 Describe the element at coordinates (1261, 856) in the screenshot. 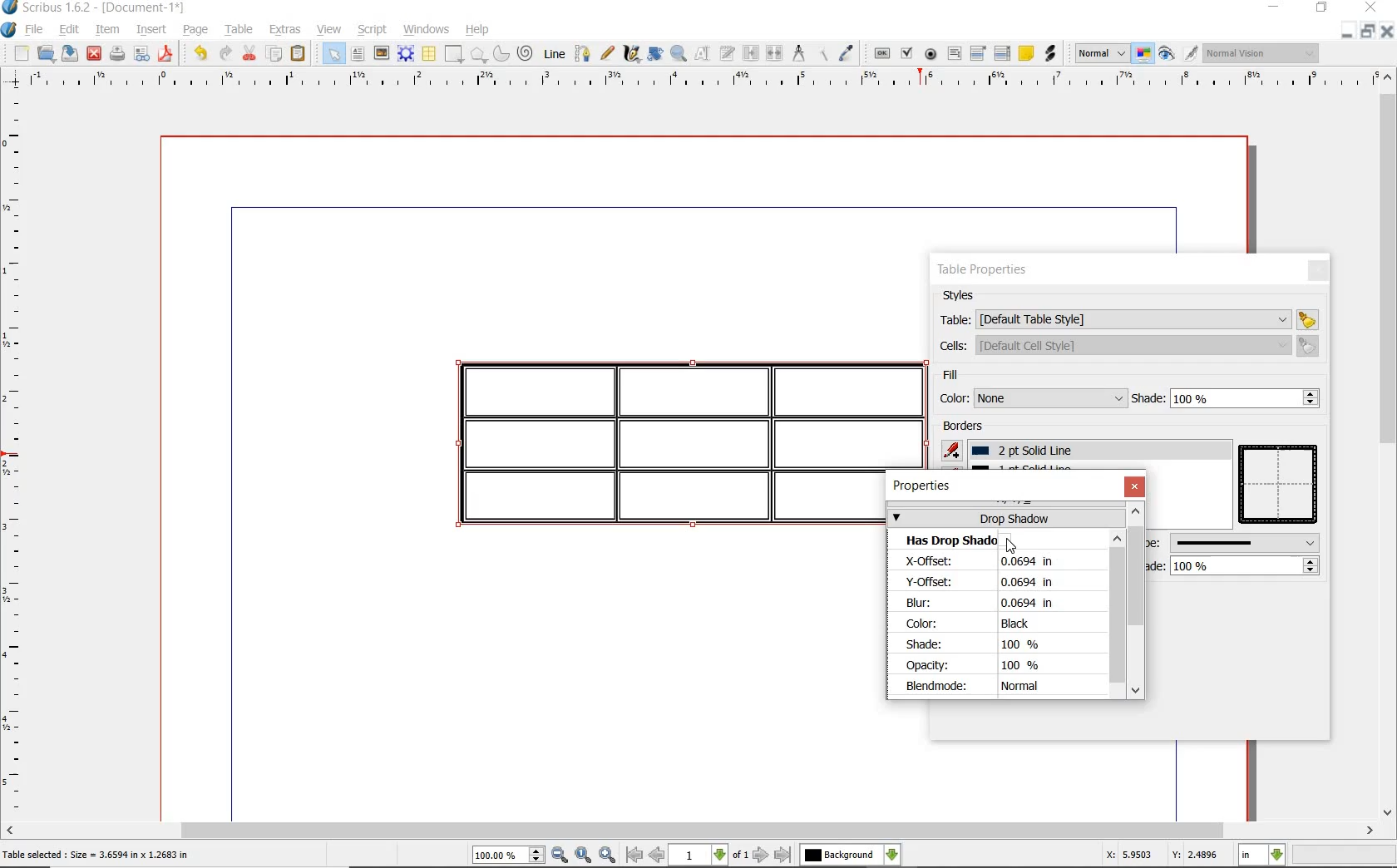

I see `select current unit` at that location.